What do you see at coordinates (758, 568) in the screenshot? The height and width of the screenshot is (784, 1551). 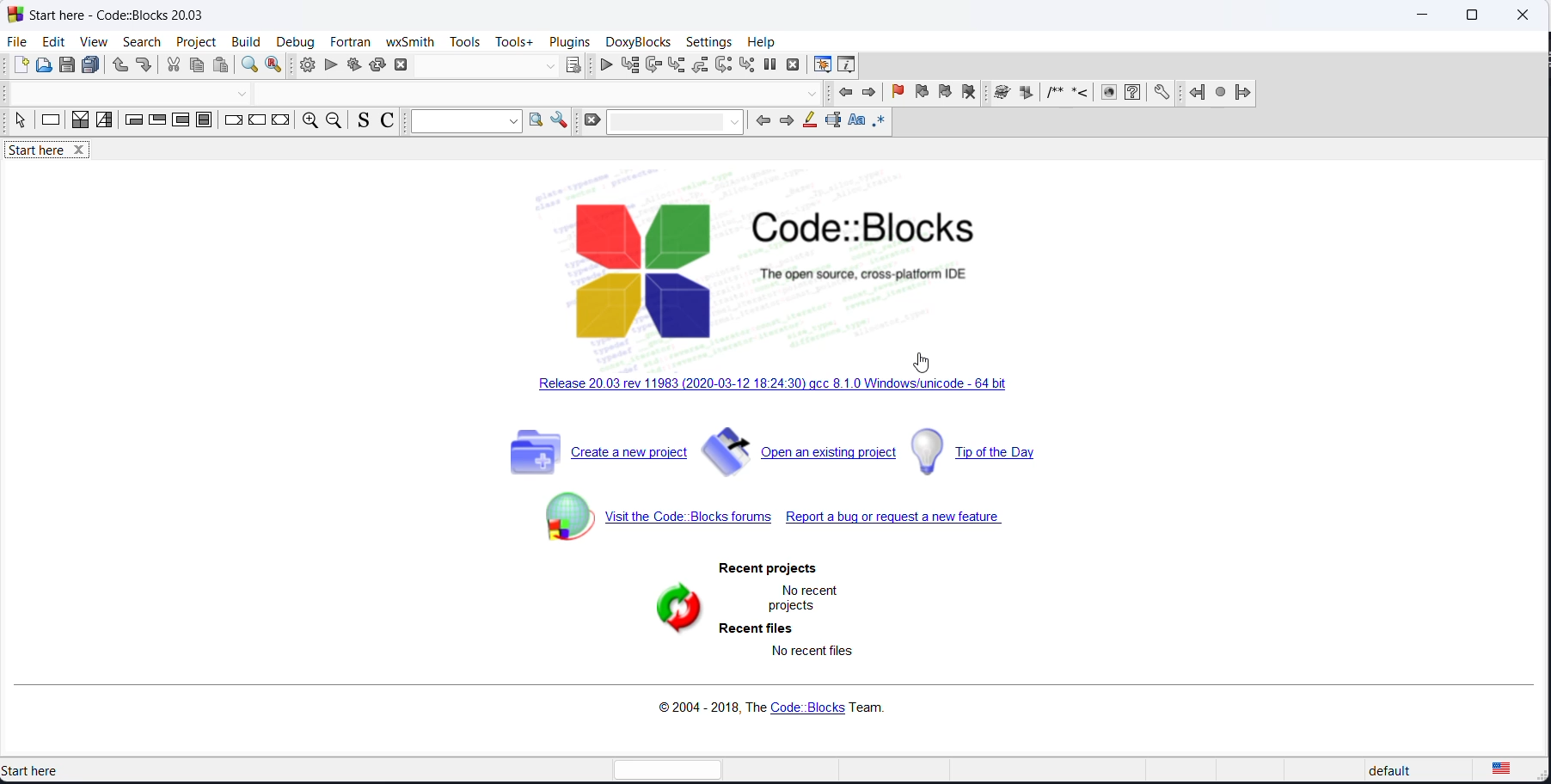 I see `recent projects` at bounding box center [758, 568].